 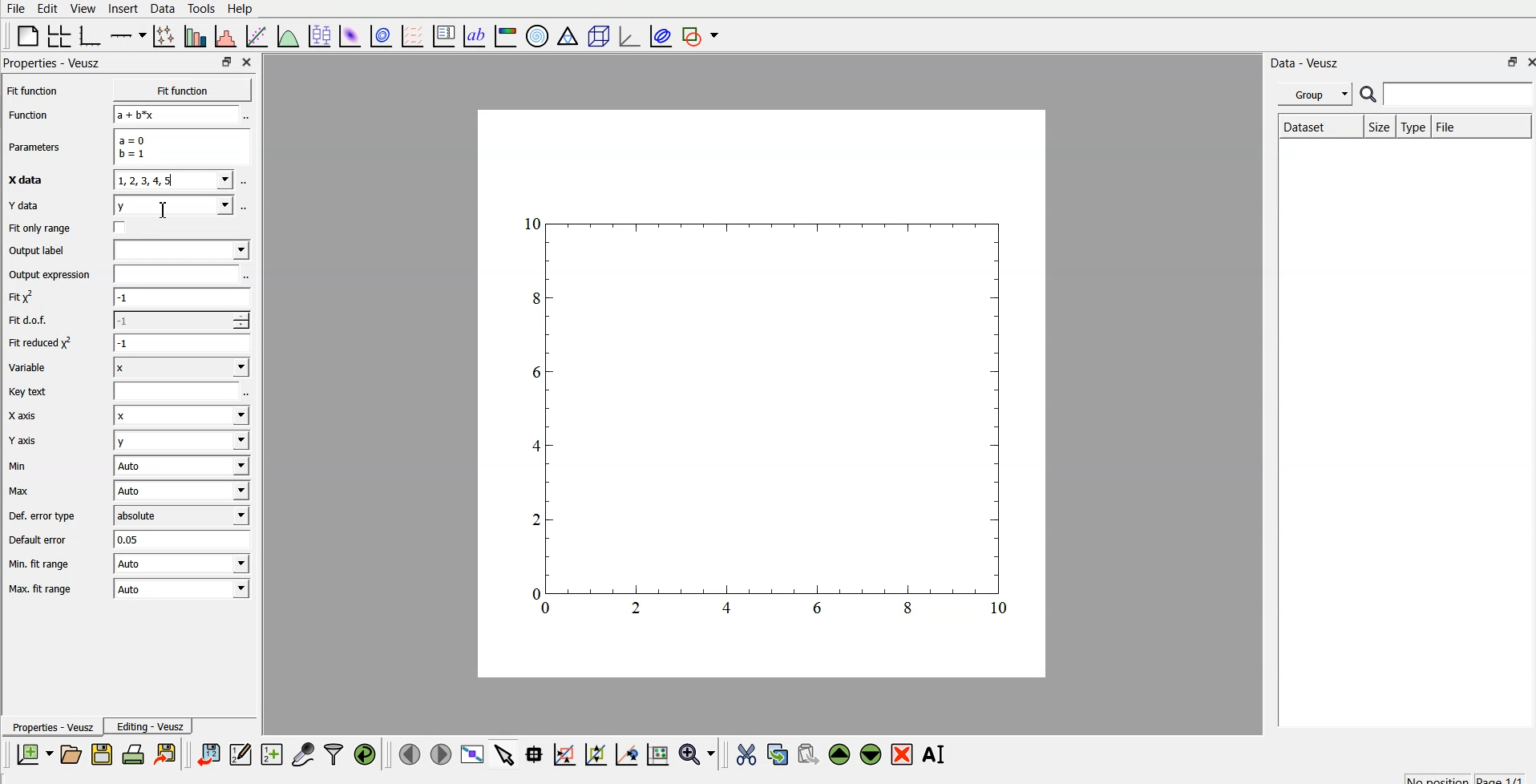 I want to click on y, so click(x=183, y=440).